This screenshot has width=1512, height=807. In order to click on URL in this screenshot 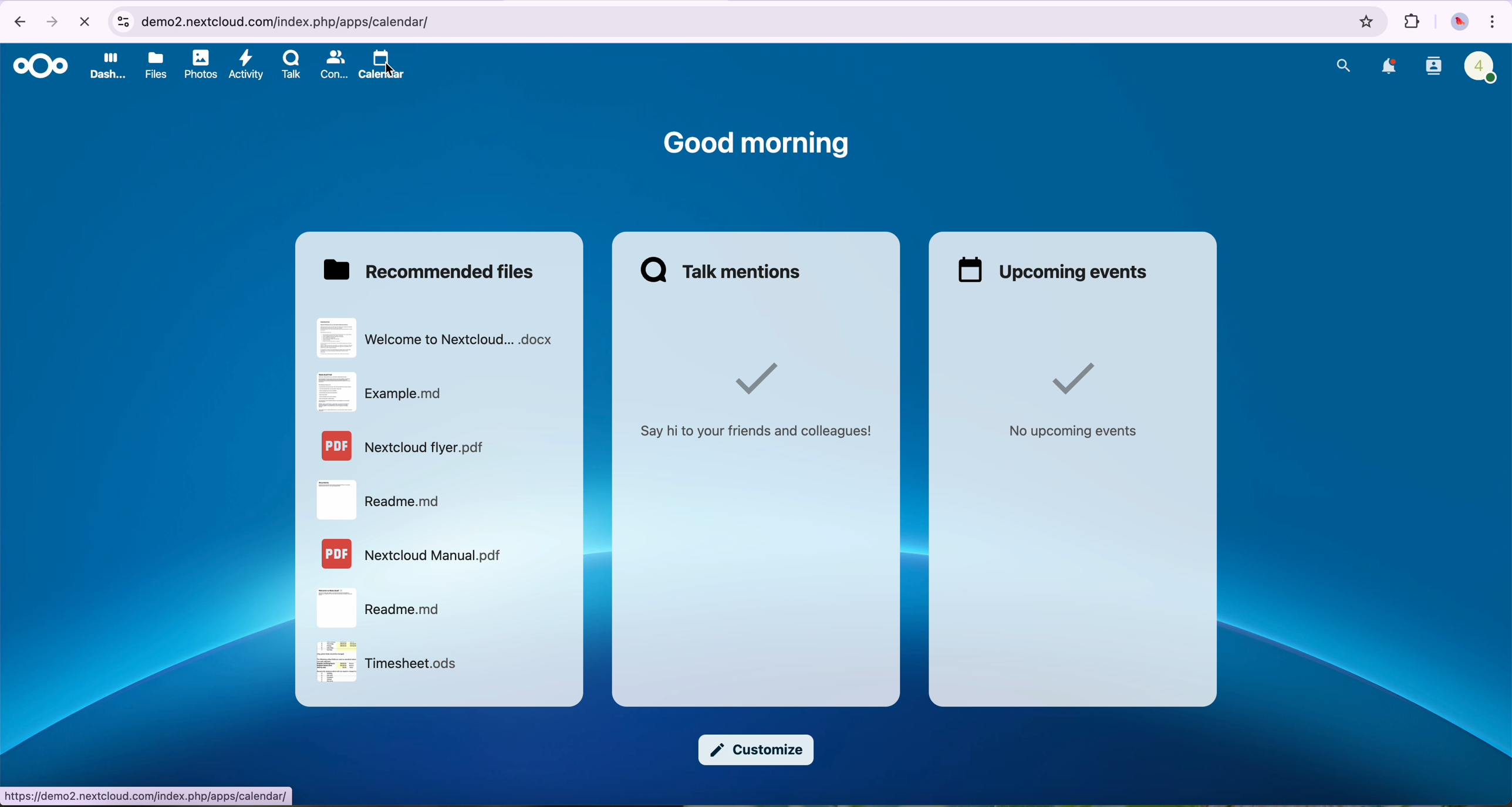, I will do `click(290, 19)`.